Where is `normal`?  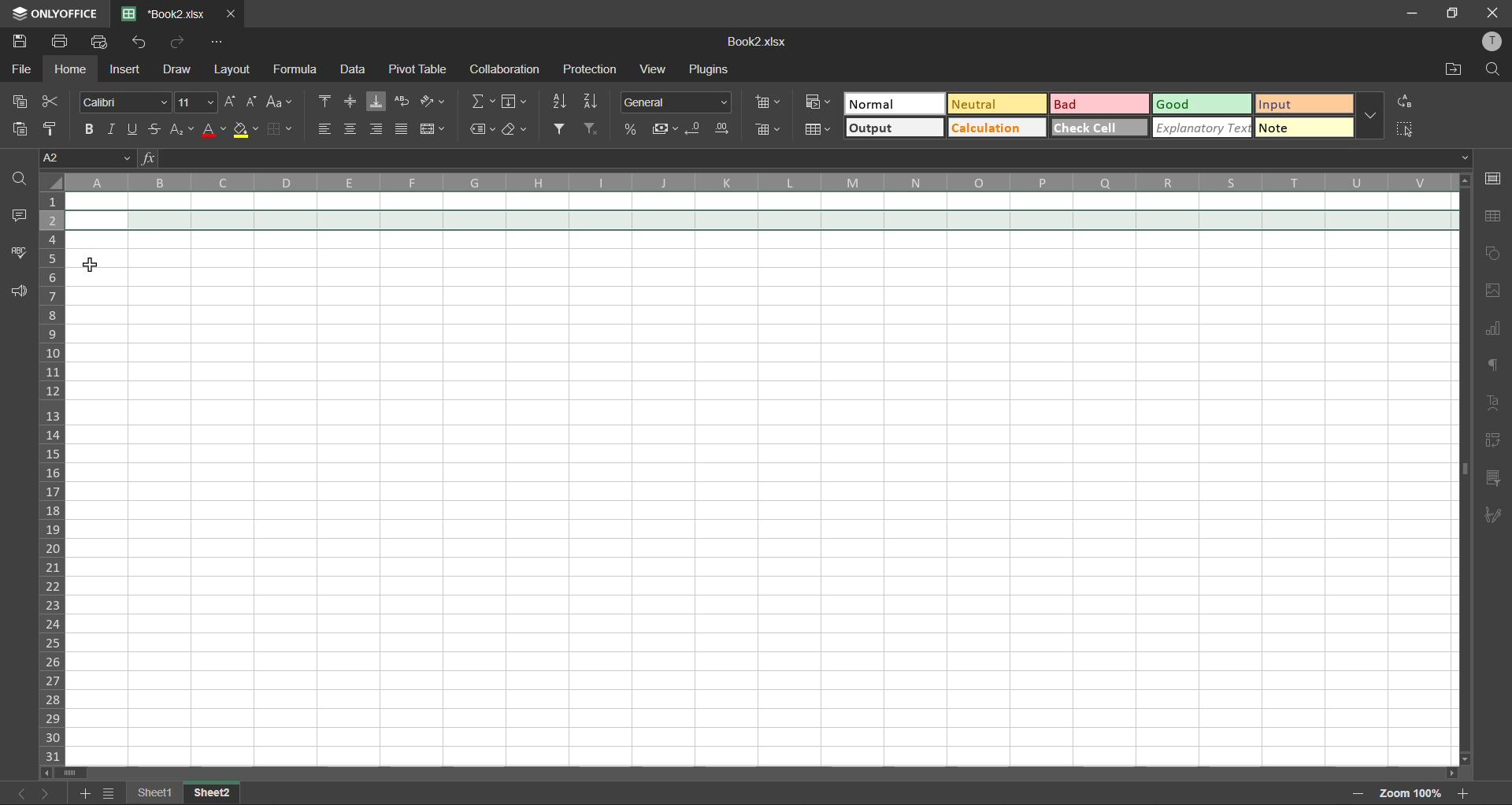
normal is located at coordinates (891, 103).